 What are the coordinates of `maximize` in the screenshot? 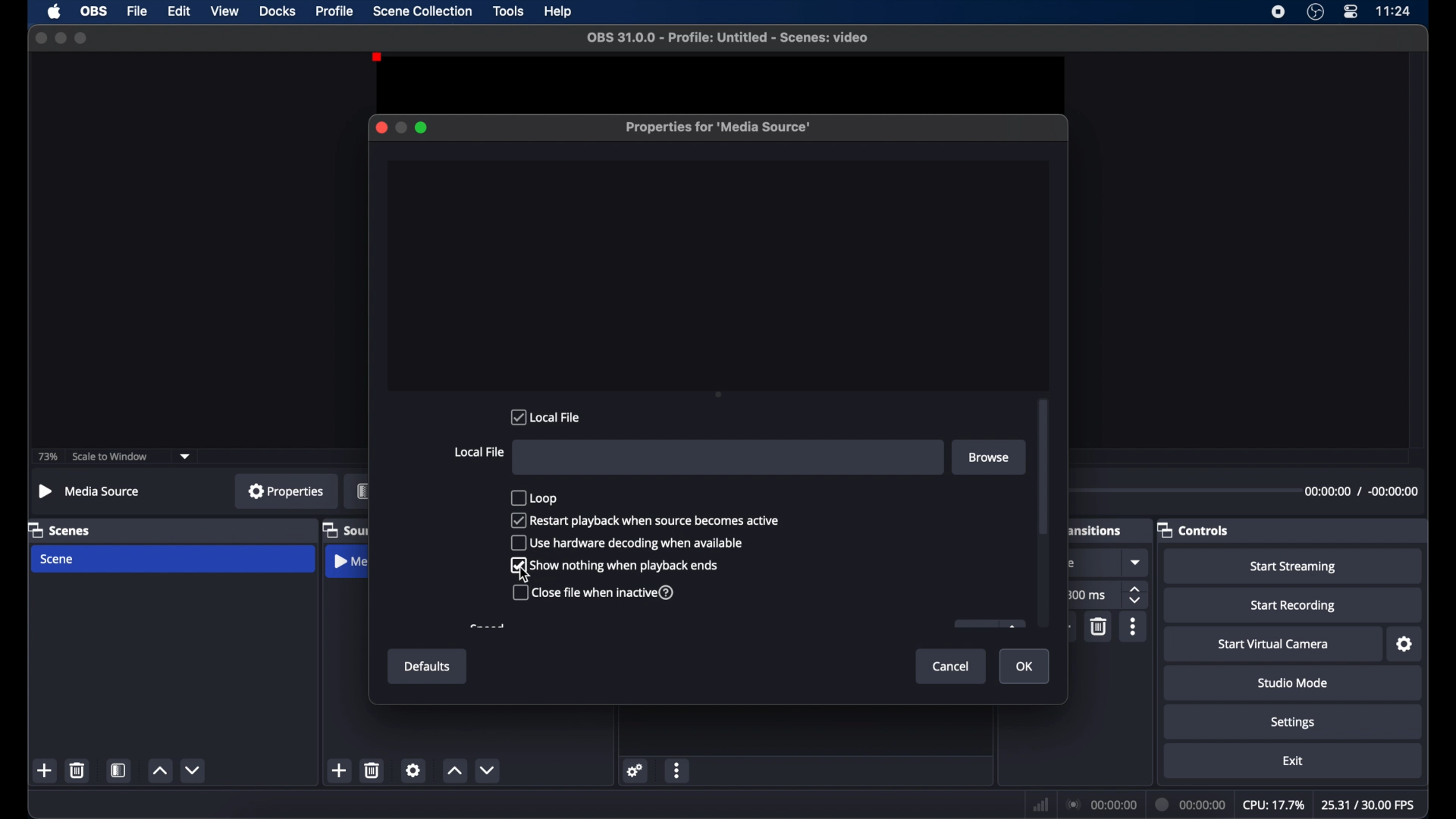 It's located at (422, 128).